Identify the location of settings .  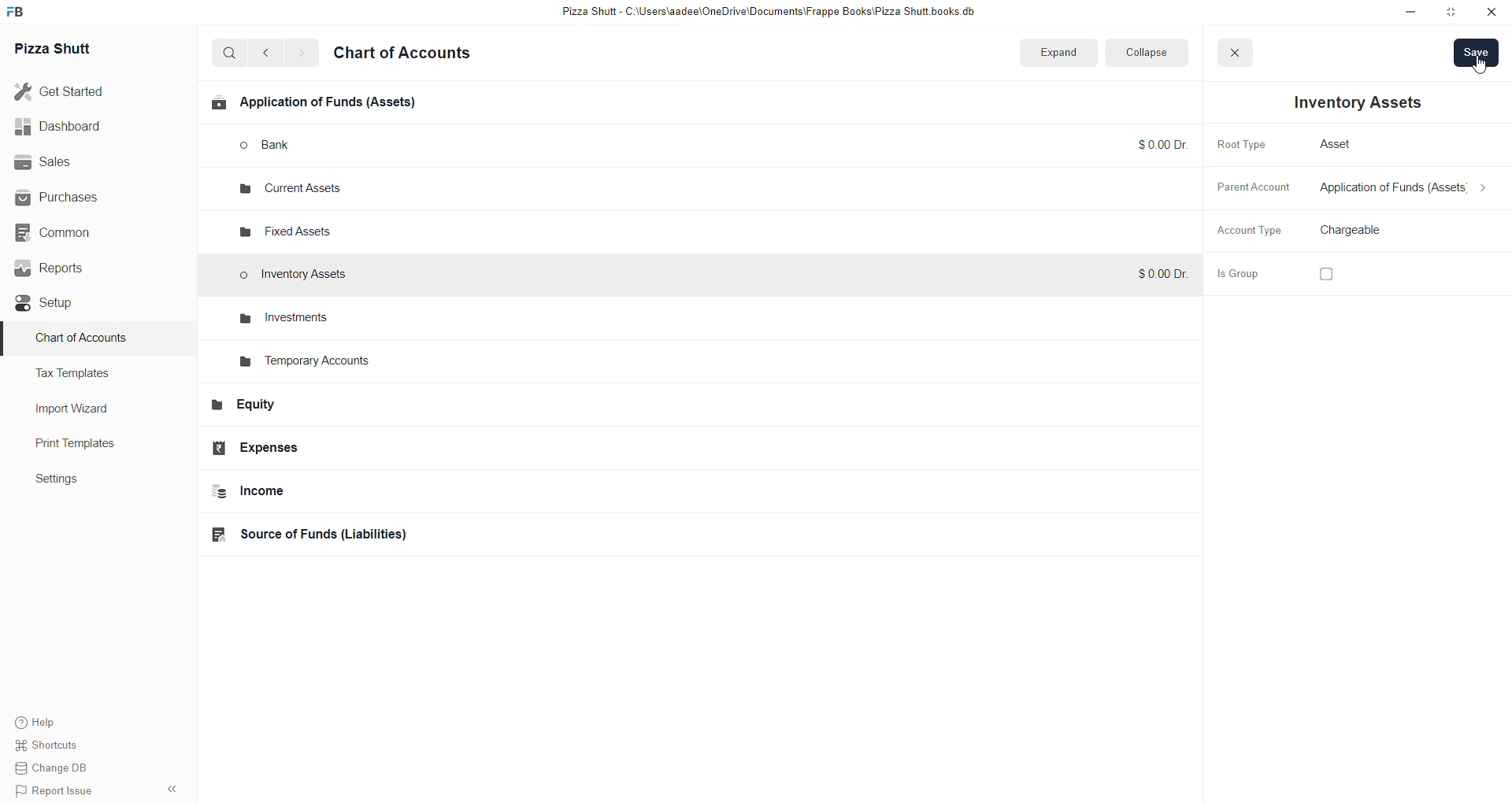
(72, 483).